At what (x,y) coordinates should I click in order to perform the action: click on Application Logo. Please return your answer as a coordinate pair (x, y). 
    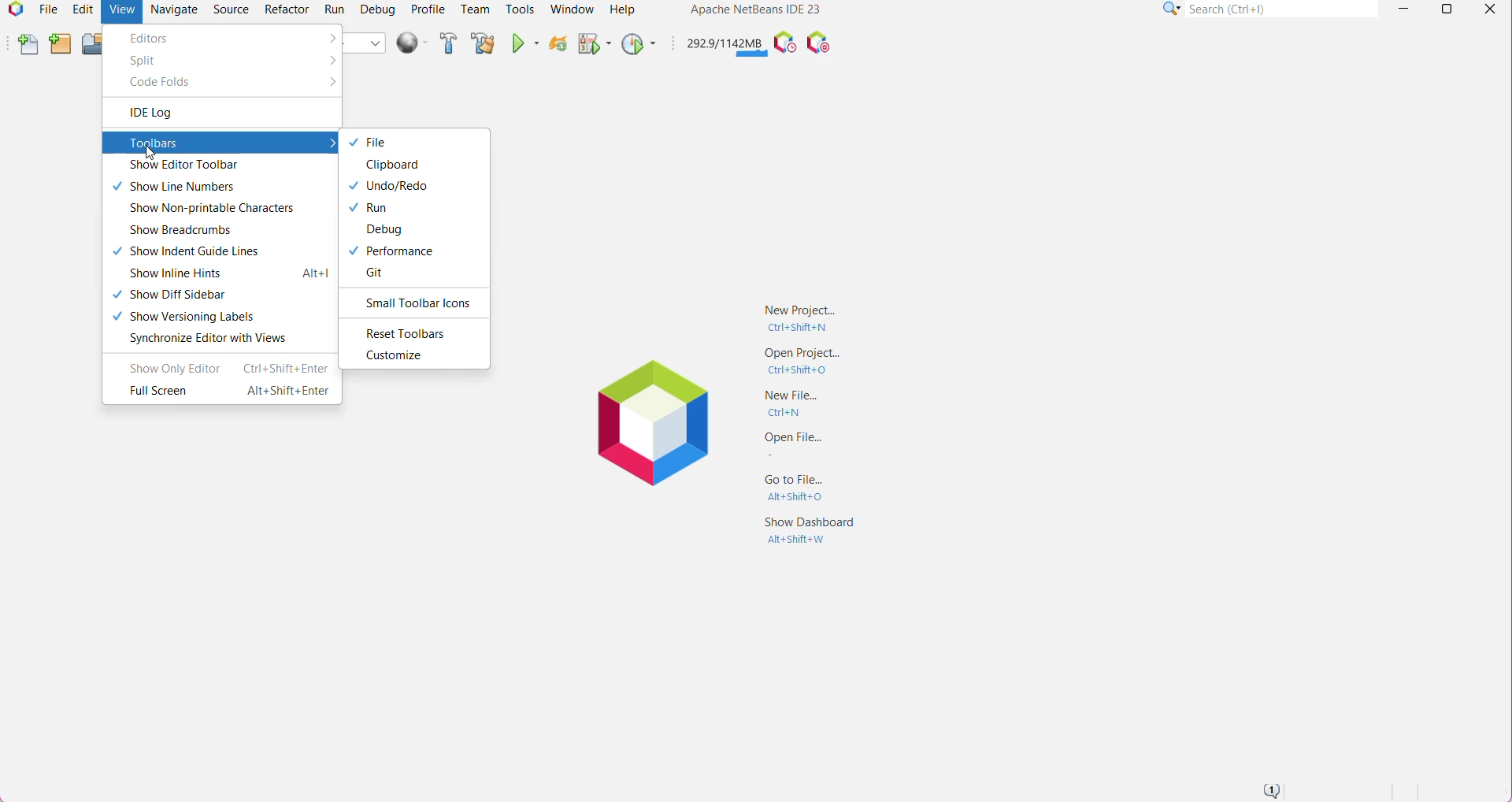
    Looking at the image, I should click on (13, 11).